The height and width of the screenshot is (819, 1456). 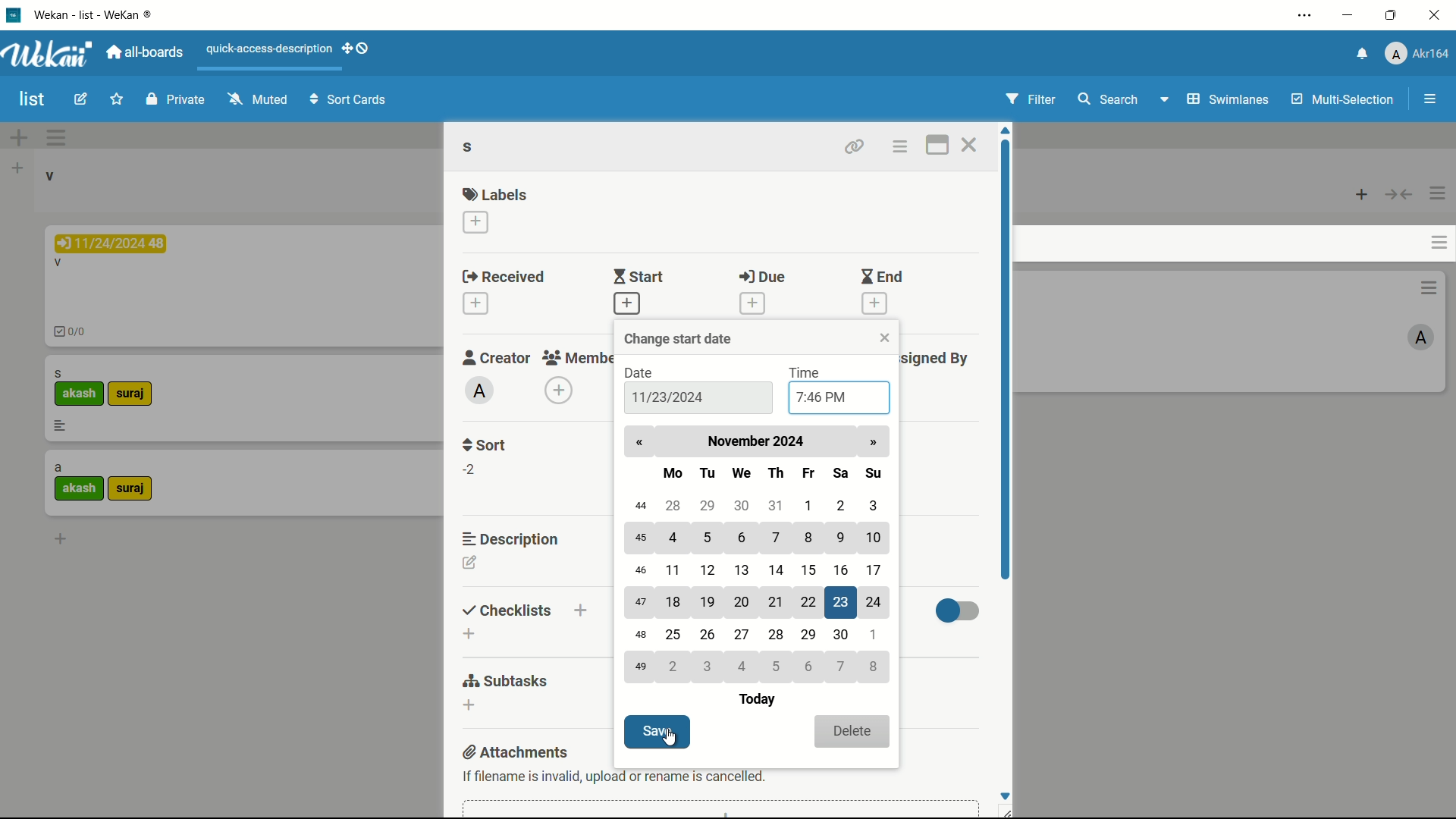 I want to click on label-1, so click(x=80, y=488).